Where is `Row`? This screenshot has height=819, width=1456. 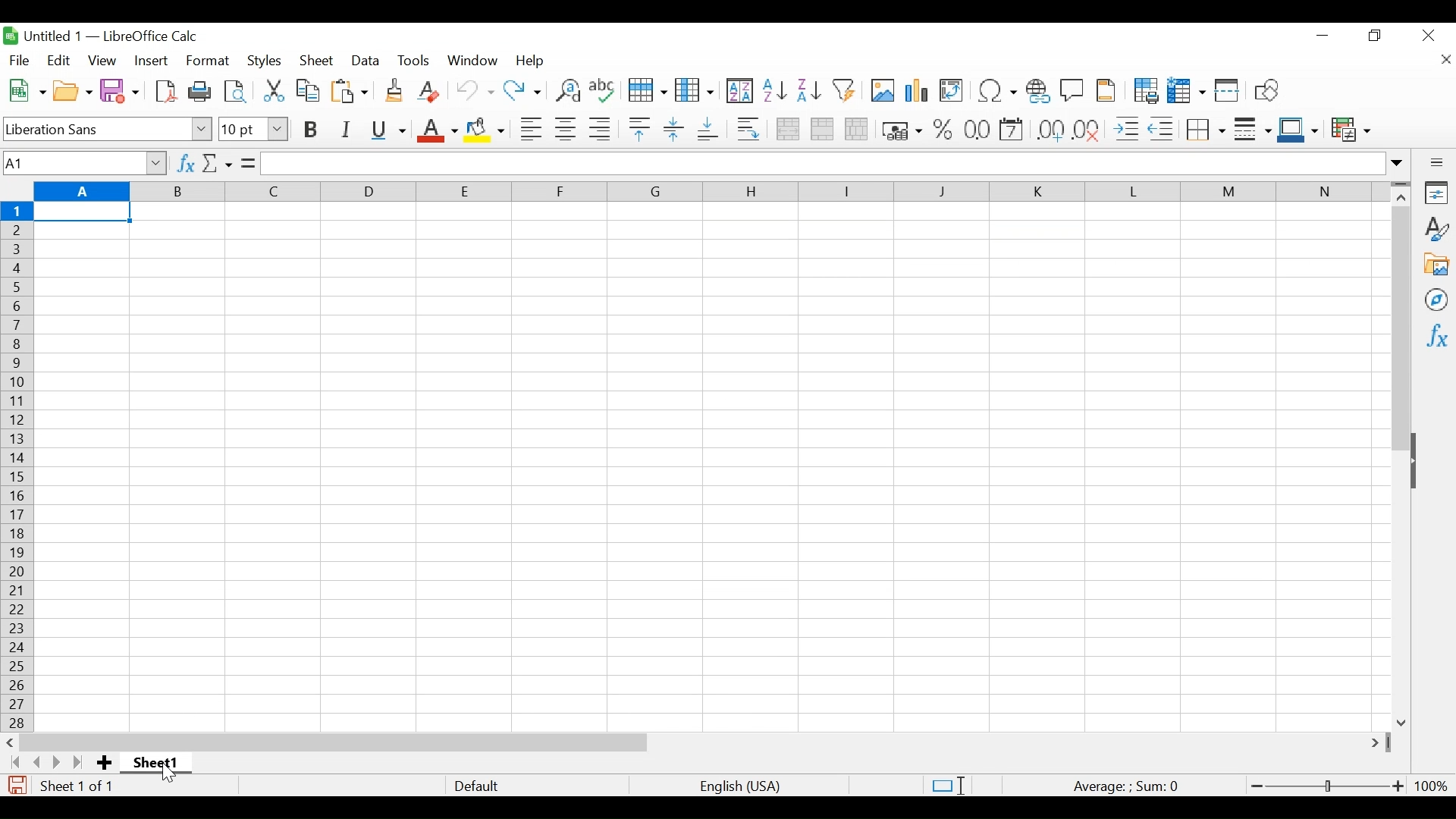
Row is located at coordinates (645, 91).